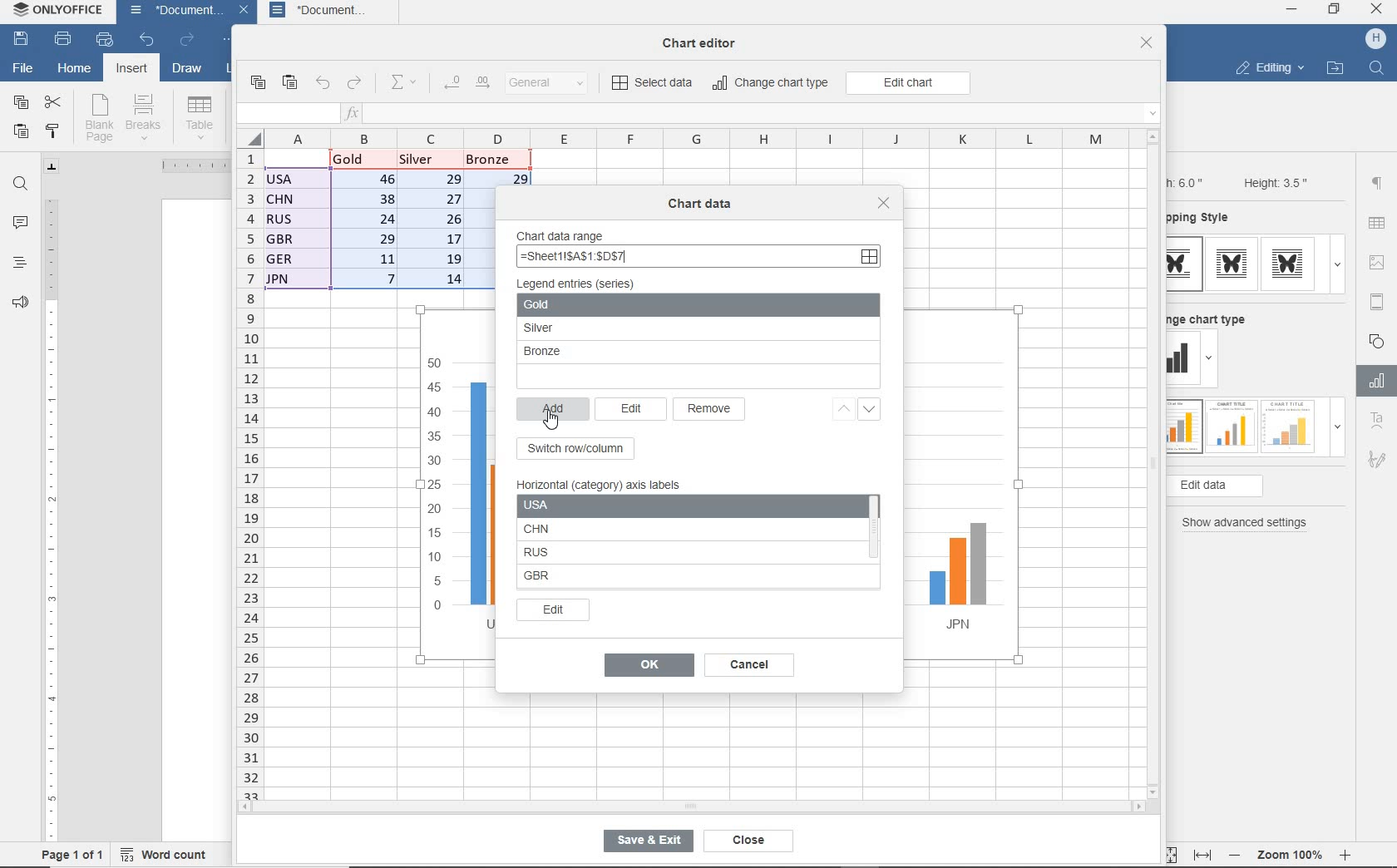  I want to click on quick print, so click(103, 40).